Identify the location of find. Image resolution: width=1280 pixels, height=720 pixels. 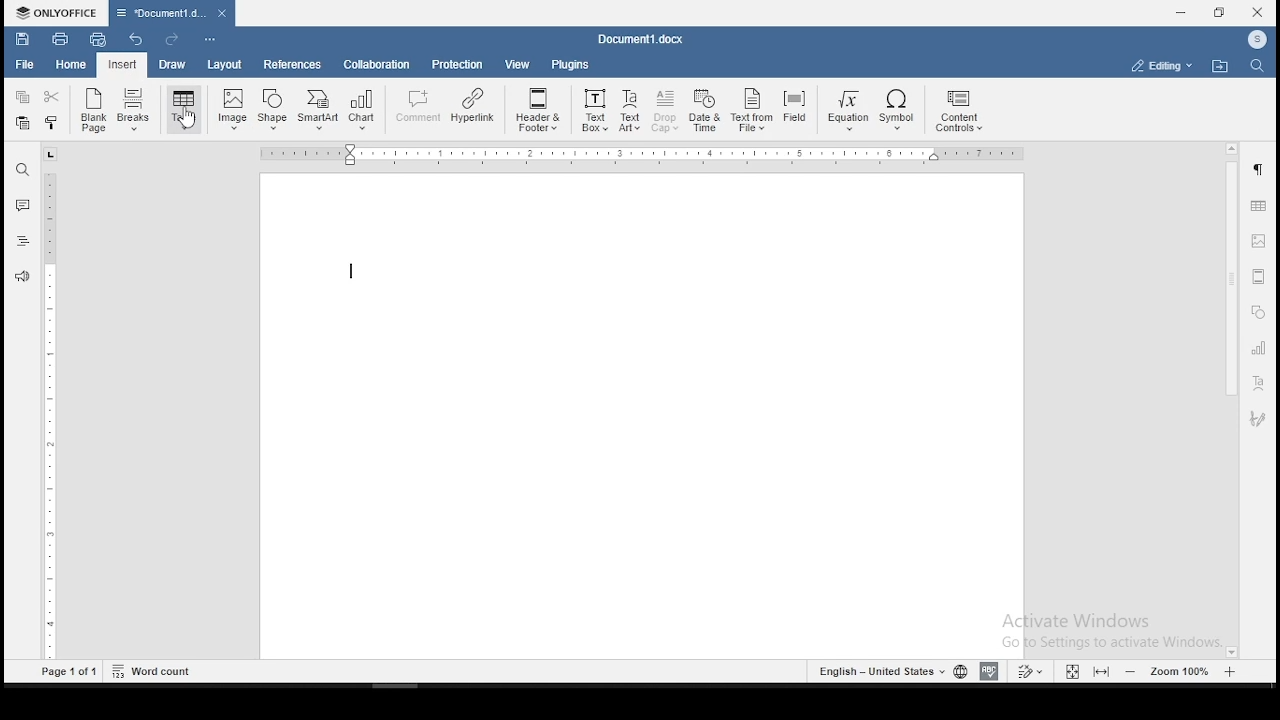
(1255, 67).